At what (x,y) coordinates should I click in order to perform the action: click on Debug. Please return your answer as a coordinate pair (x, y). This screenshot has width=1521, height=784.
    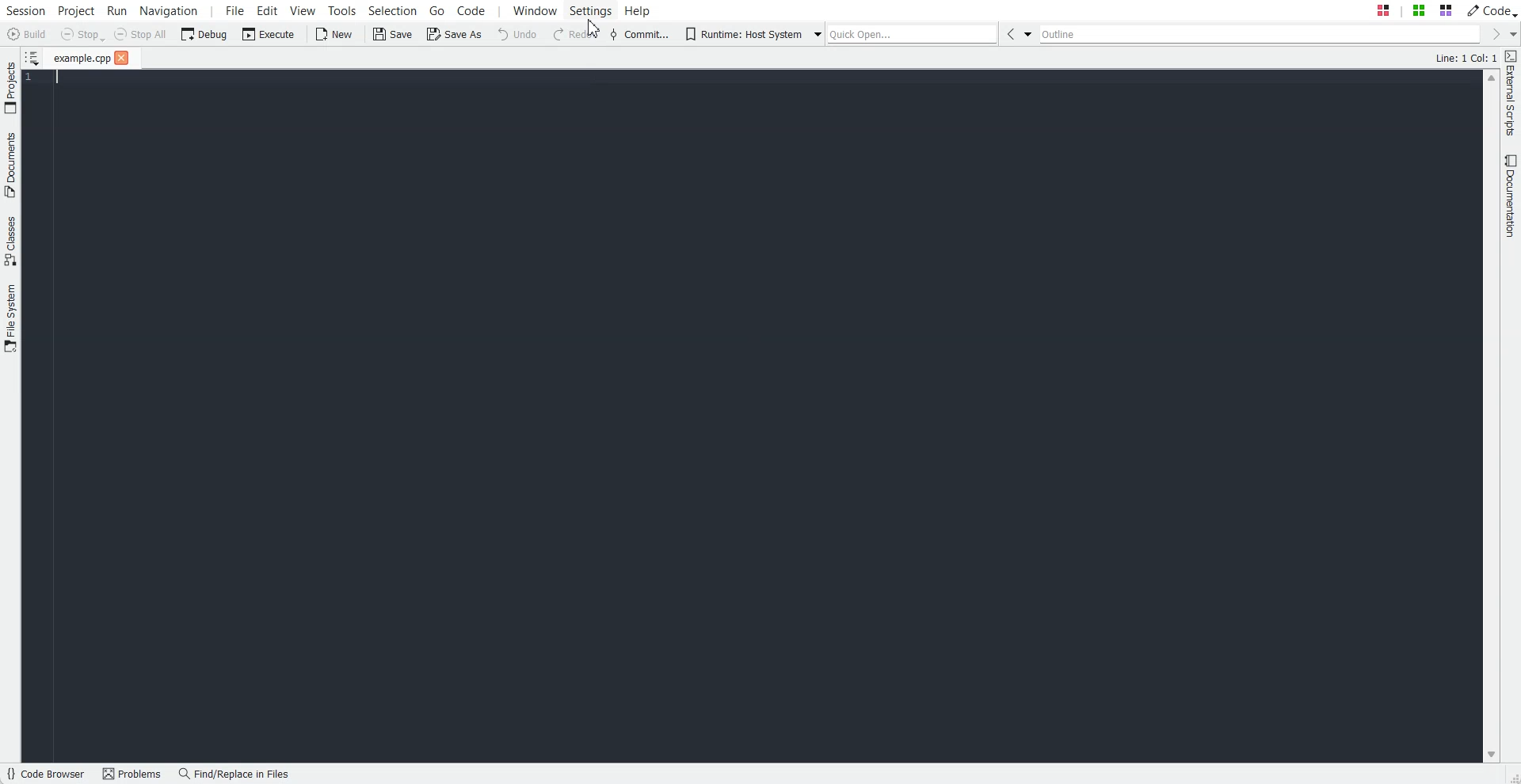
    Looking at the image, I should click on (204, 34).